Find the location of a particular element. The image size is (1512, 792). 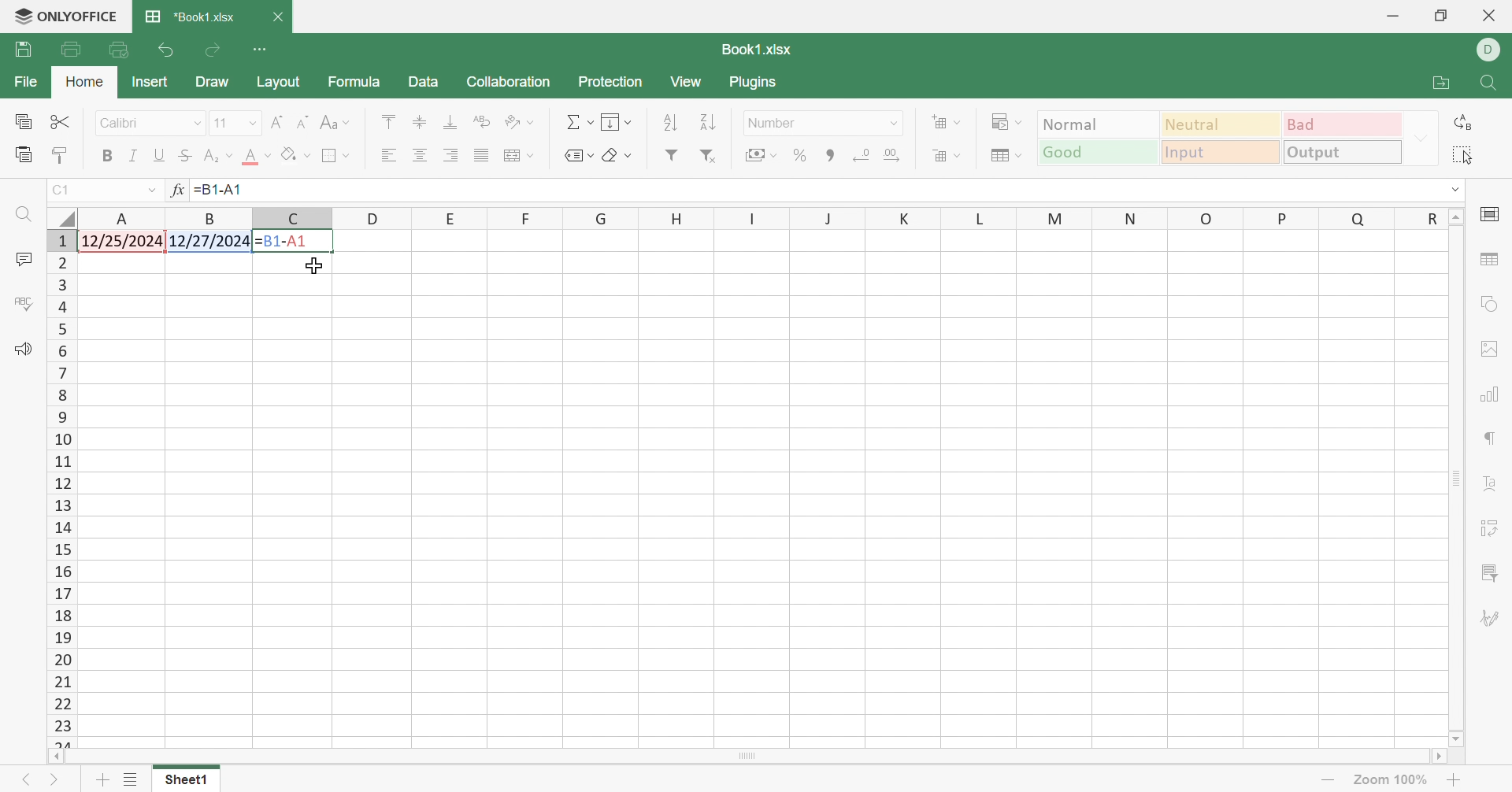

Insert cells is located at coordinates (949, 122).